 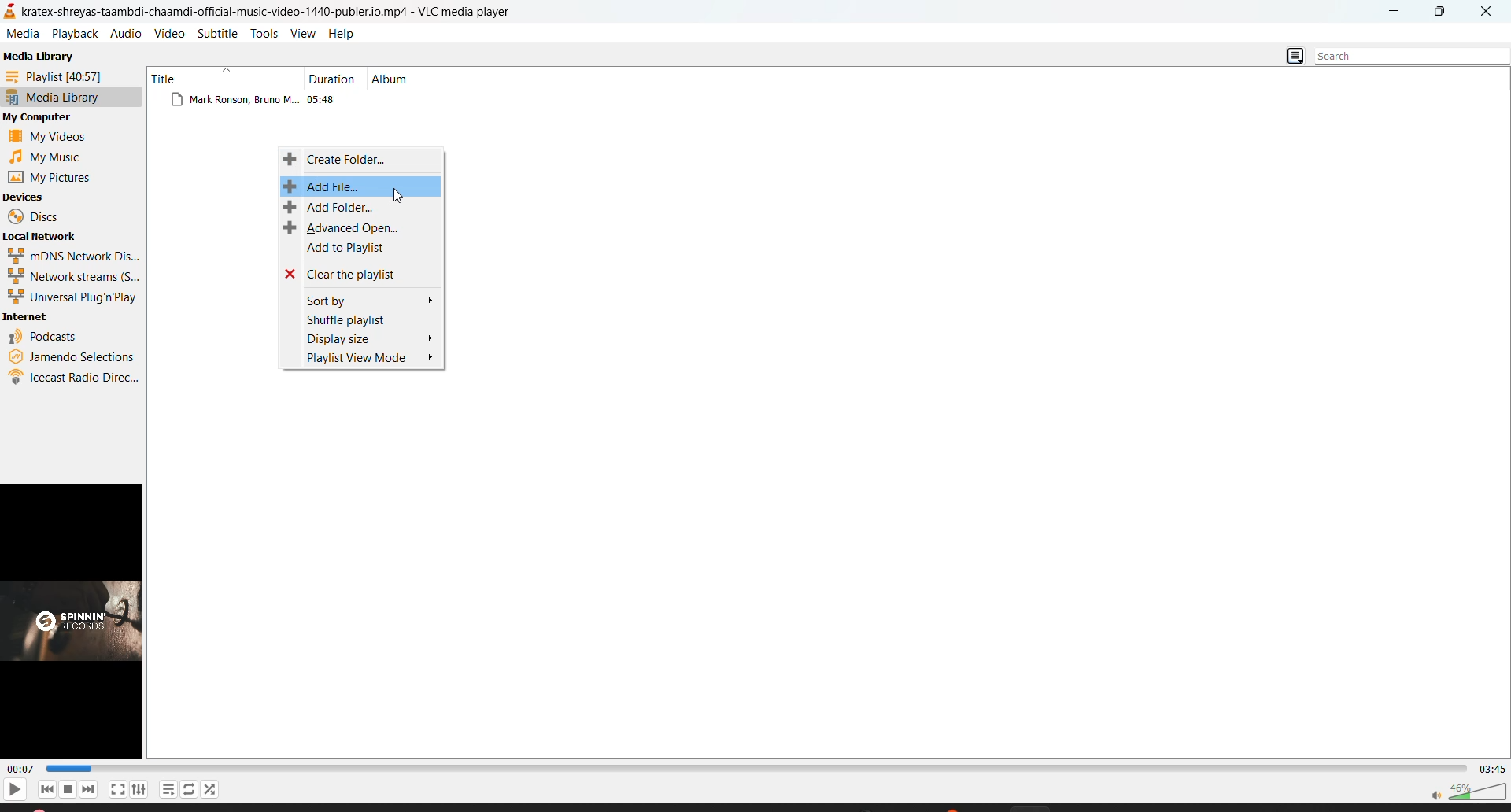 What do you see at coordinates (346, 275) in the screenshot?
I see `clear the playlist` at bounding box center [346, 275].